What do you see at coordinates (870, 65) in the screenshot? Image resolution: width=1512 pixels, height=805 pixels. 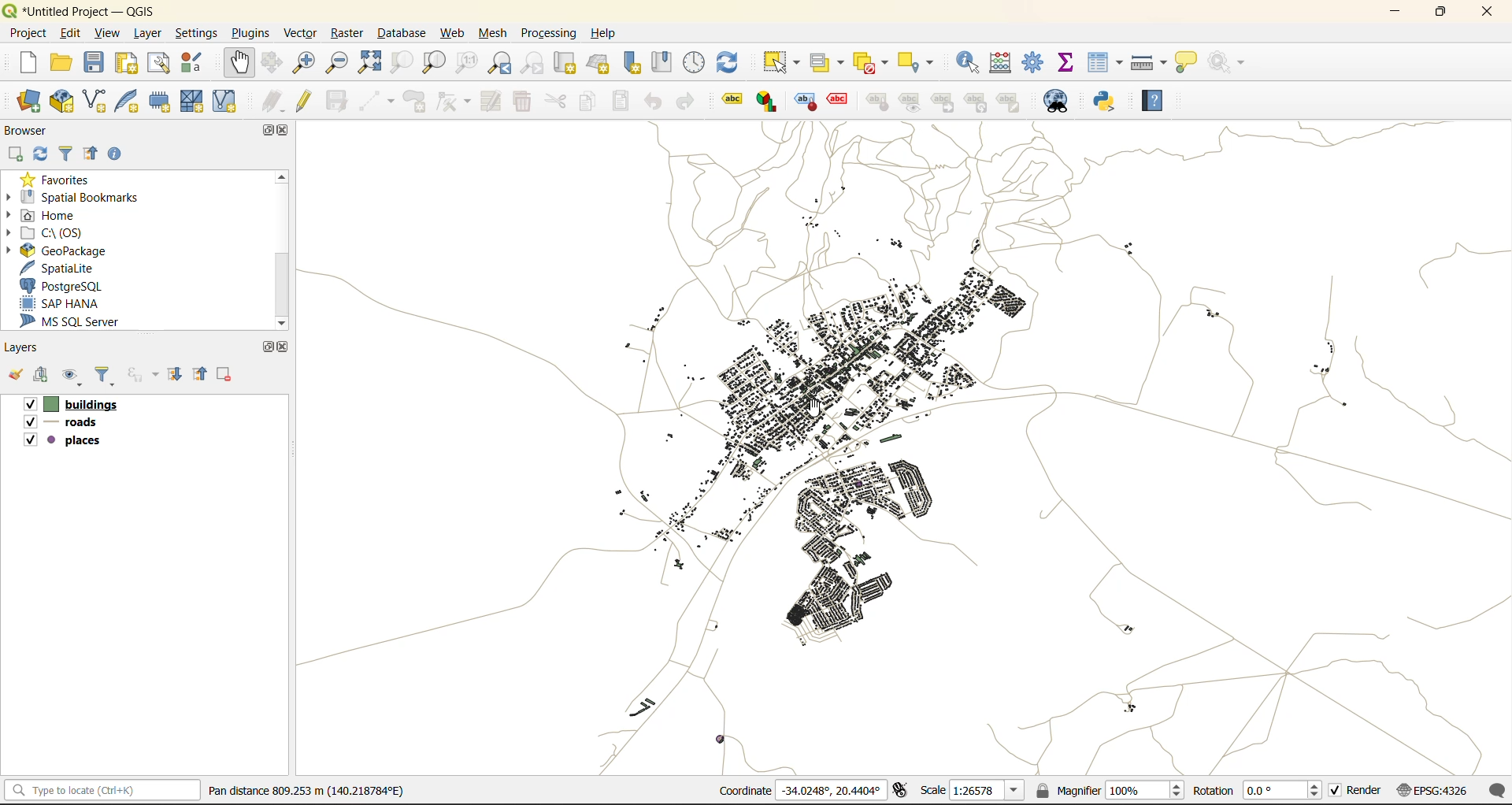 I see `deselect value` at bounding box center [870, 65].